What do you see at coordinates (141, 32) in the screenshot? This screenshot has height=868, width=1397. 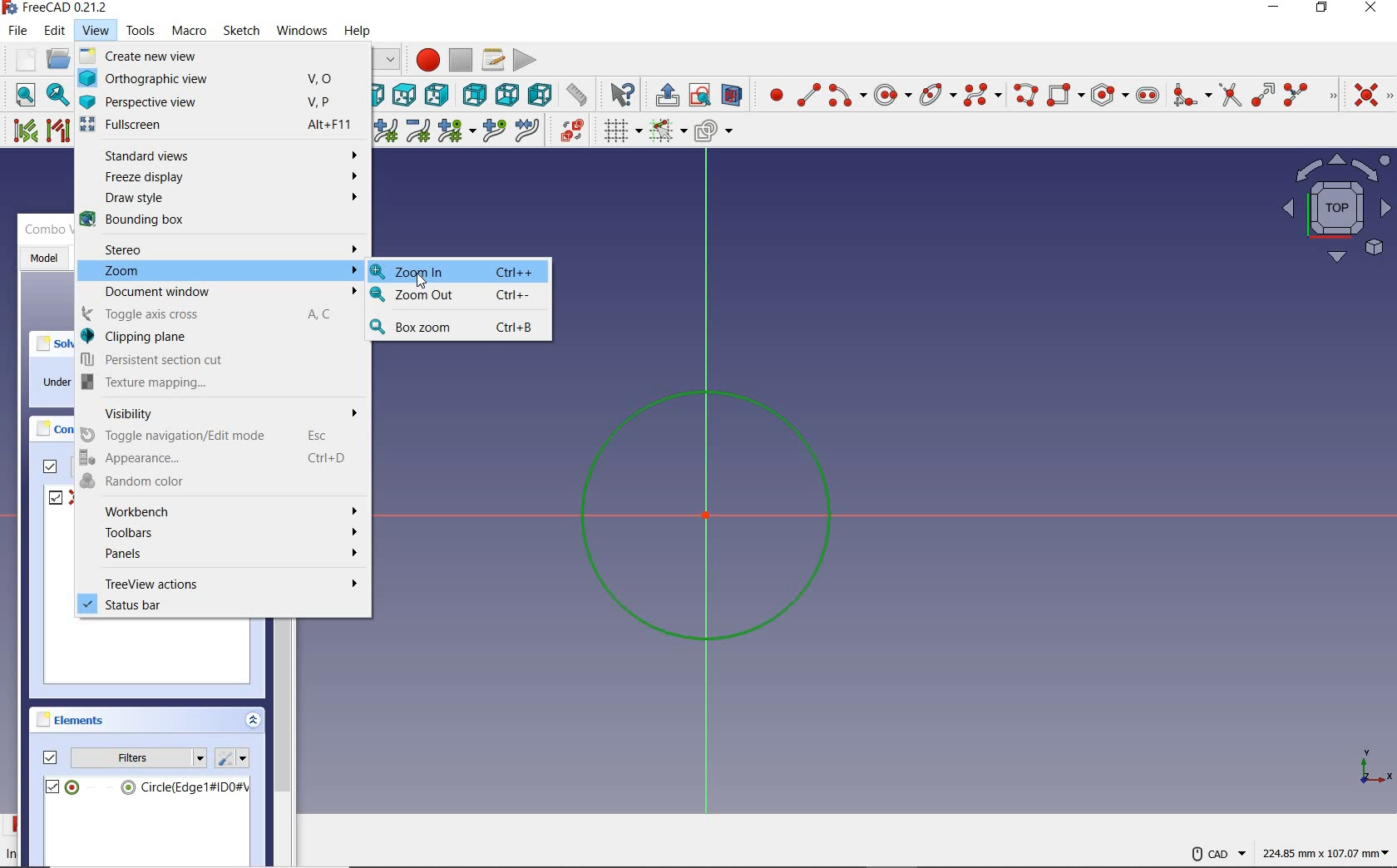 I see `tools` at bounding box center [141, 32].